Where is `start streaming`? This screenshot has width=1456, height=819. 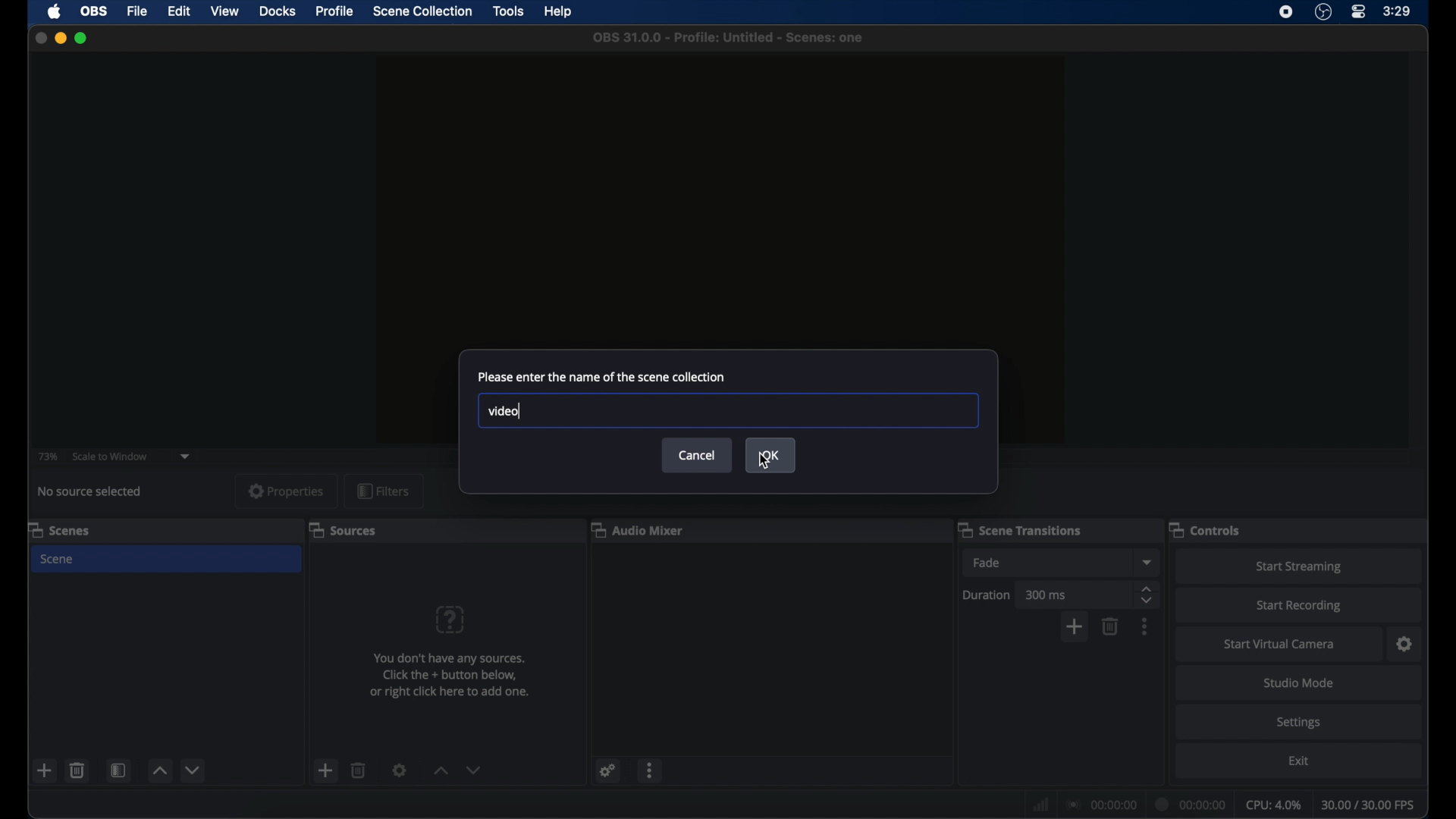 start streaming is located at coordinates (1298, 567).